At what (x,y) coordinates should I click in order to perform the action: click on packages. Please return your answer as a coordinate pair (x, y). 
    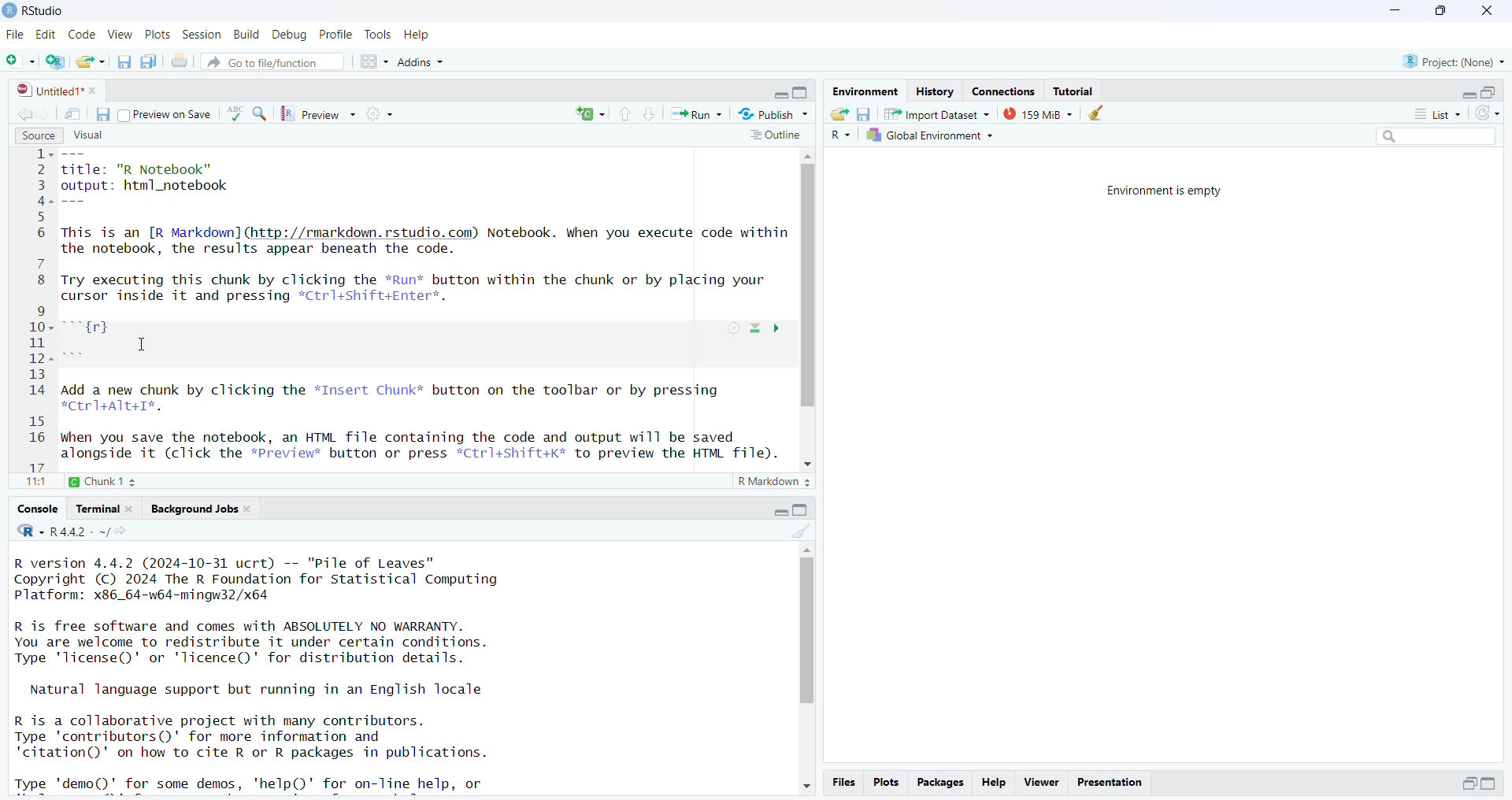
    Looking at the image, I should click on (941, 782).